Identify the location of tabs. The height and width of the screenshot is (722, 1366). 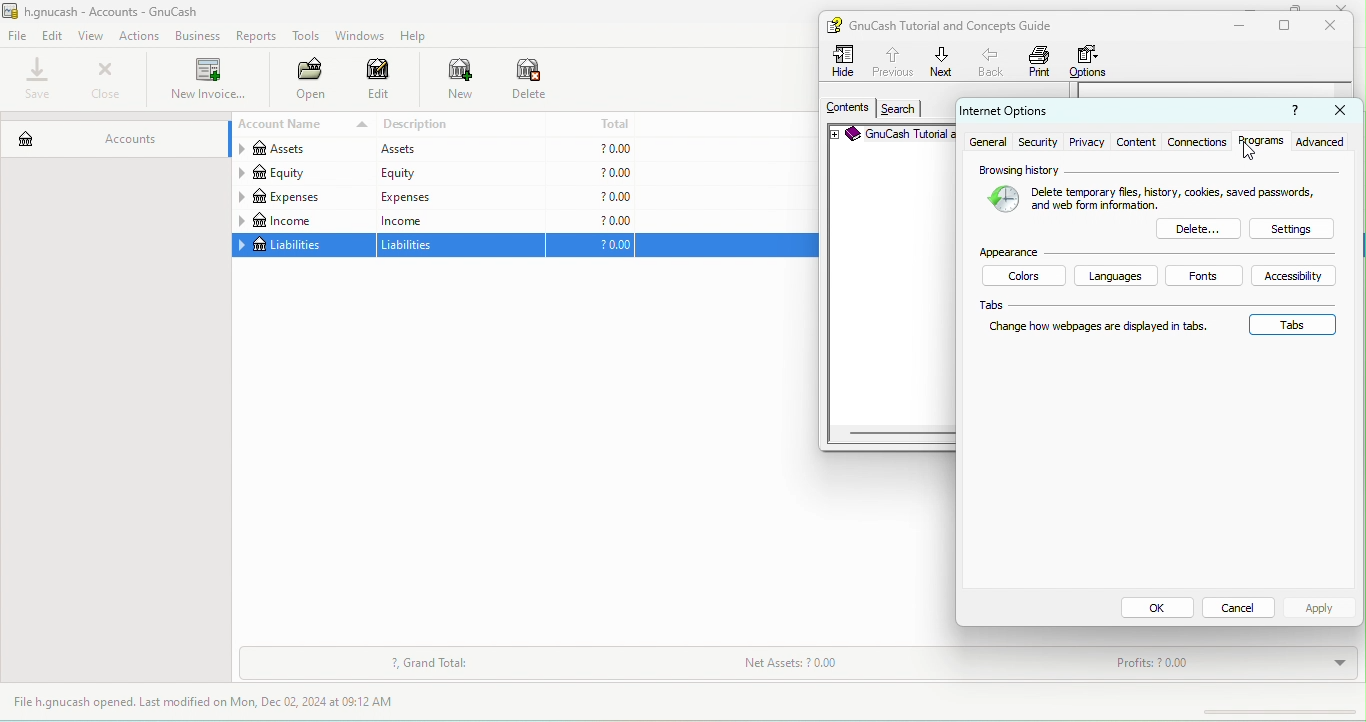
(1292, 325).